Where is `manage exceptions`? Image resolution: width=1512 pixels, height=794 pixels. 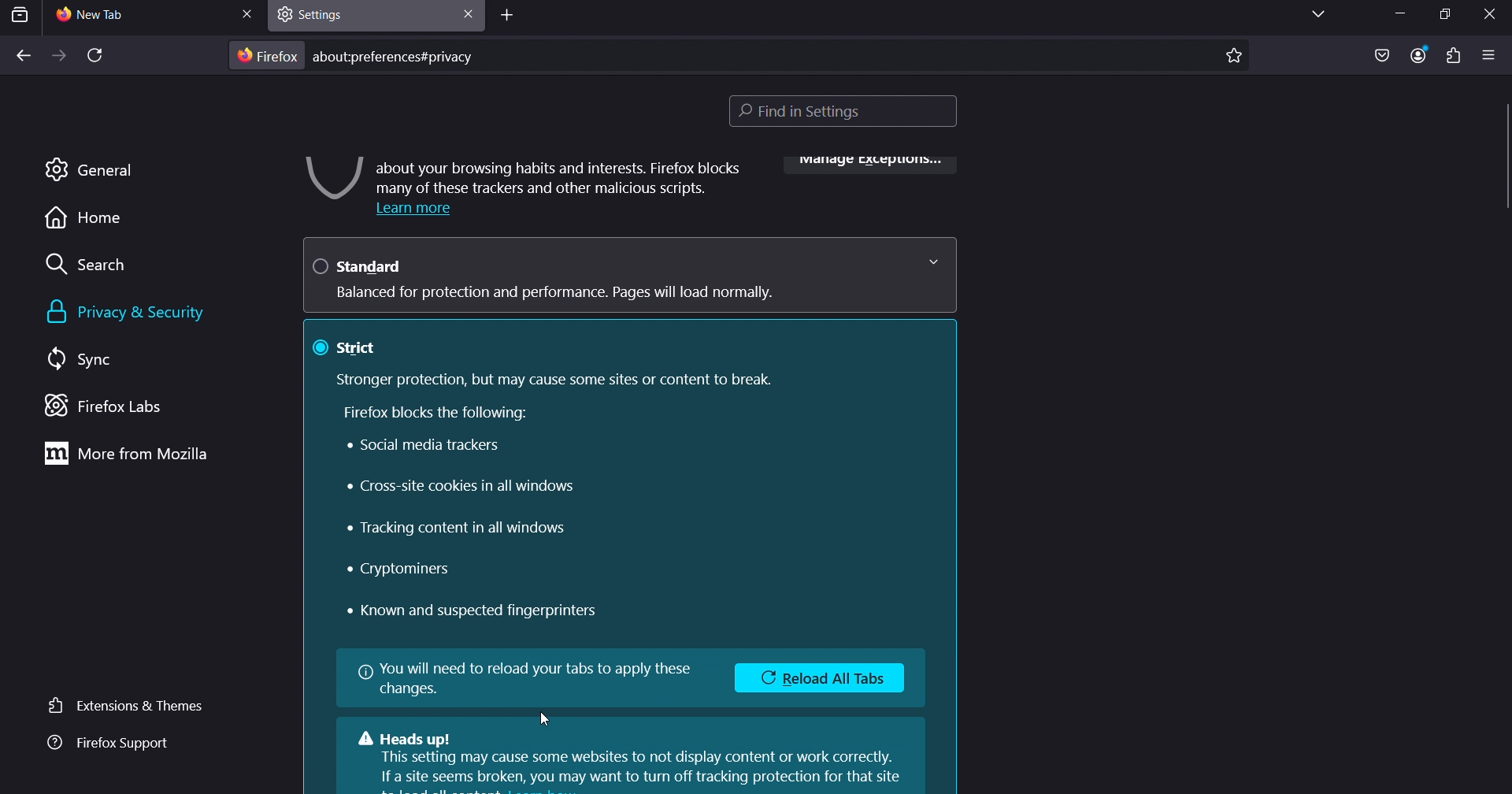
manage exceptions is located at coordinates (865, 164).